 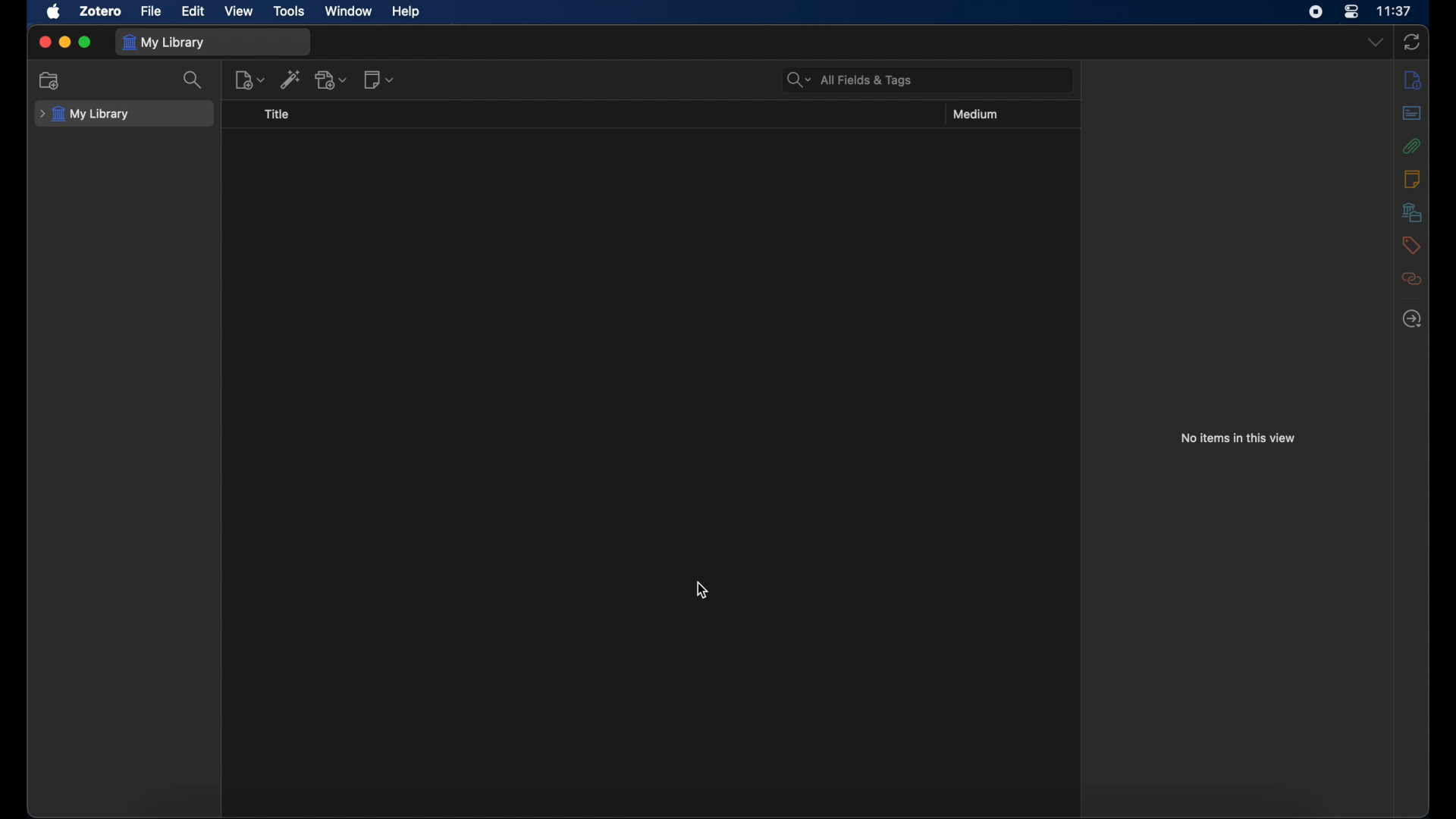 I want to click on title, so click(x=277, y=114).